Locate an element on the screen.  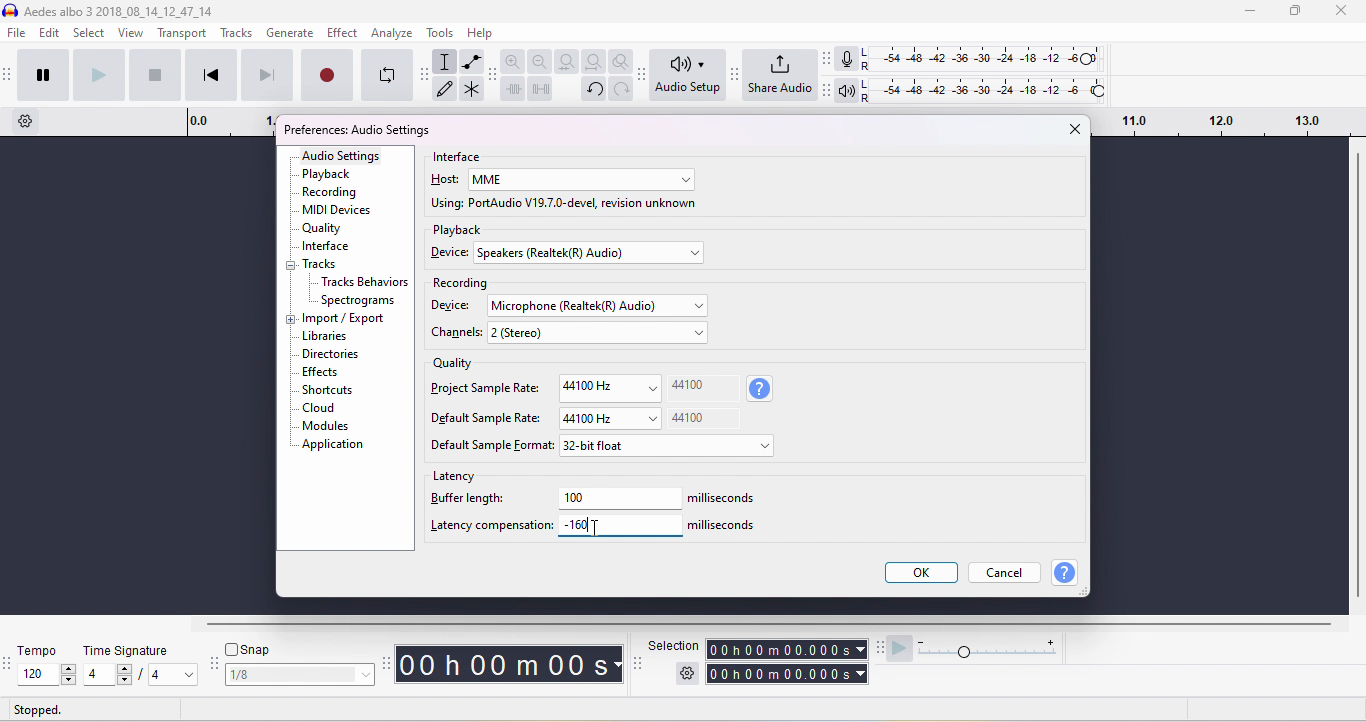
redo is located at coordinates (622, 89).